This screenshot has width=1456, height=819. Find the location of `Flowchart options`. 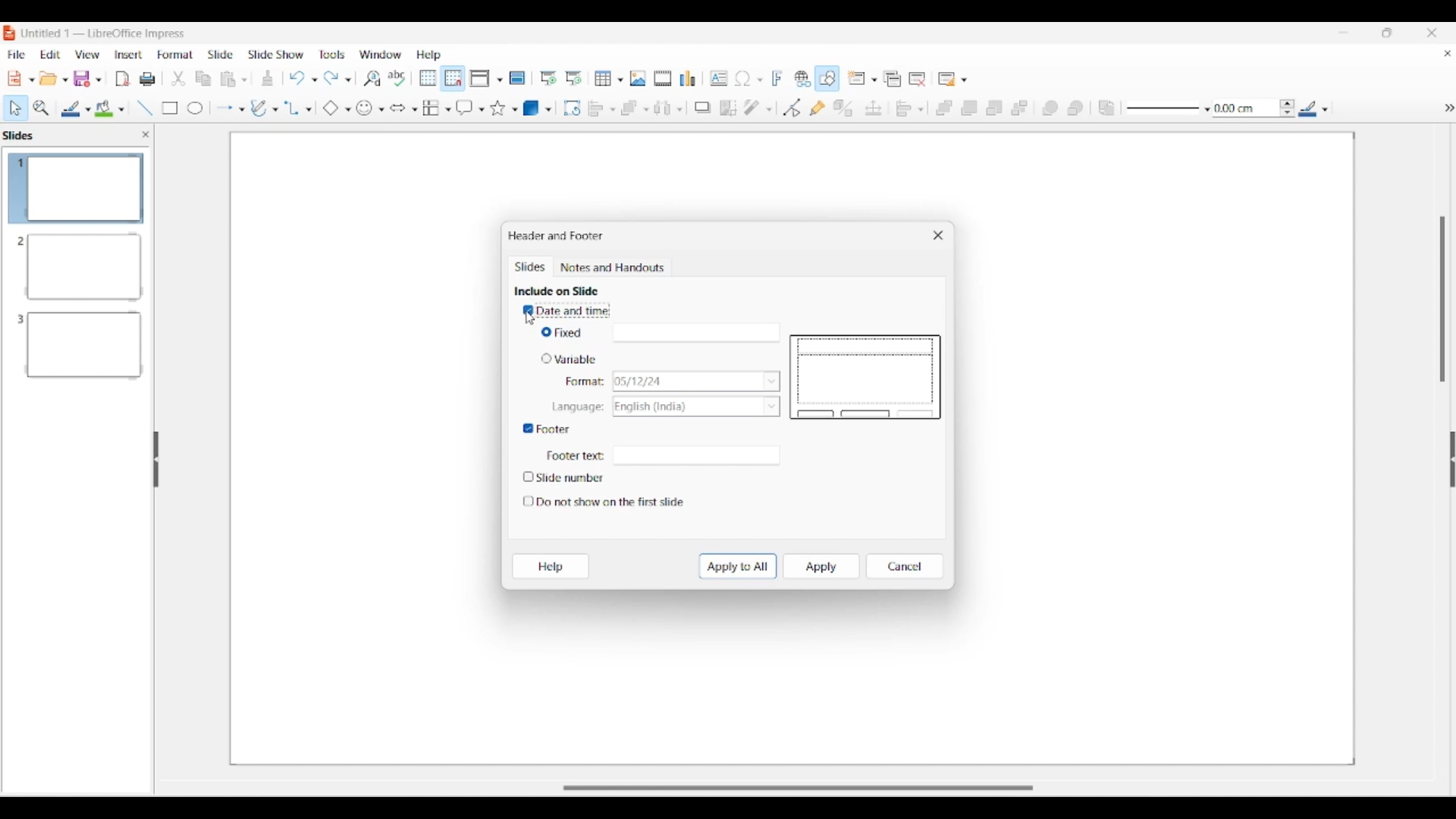

Flowchart options is located at coordinates (436, 108).